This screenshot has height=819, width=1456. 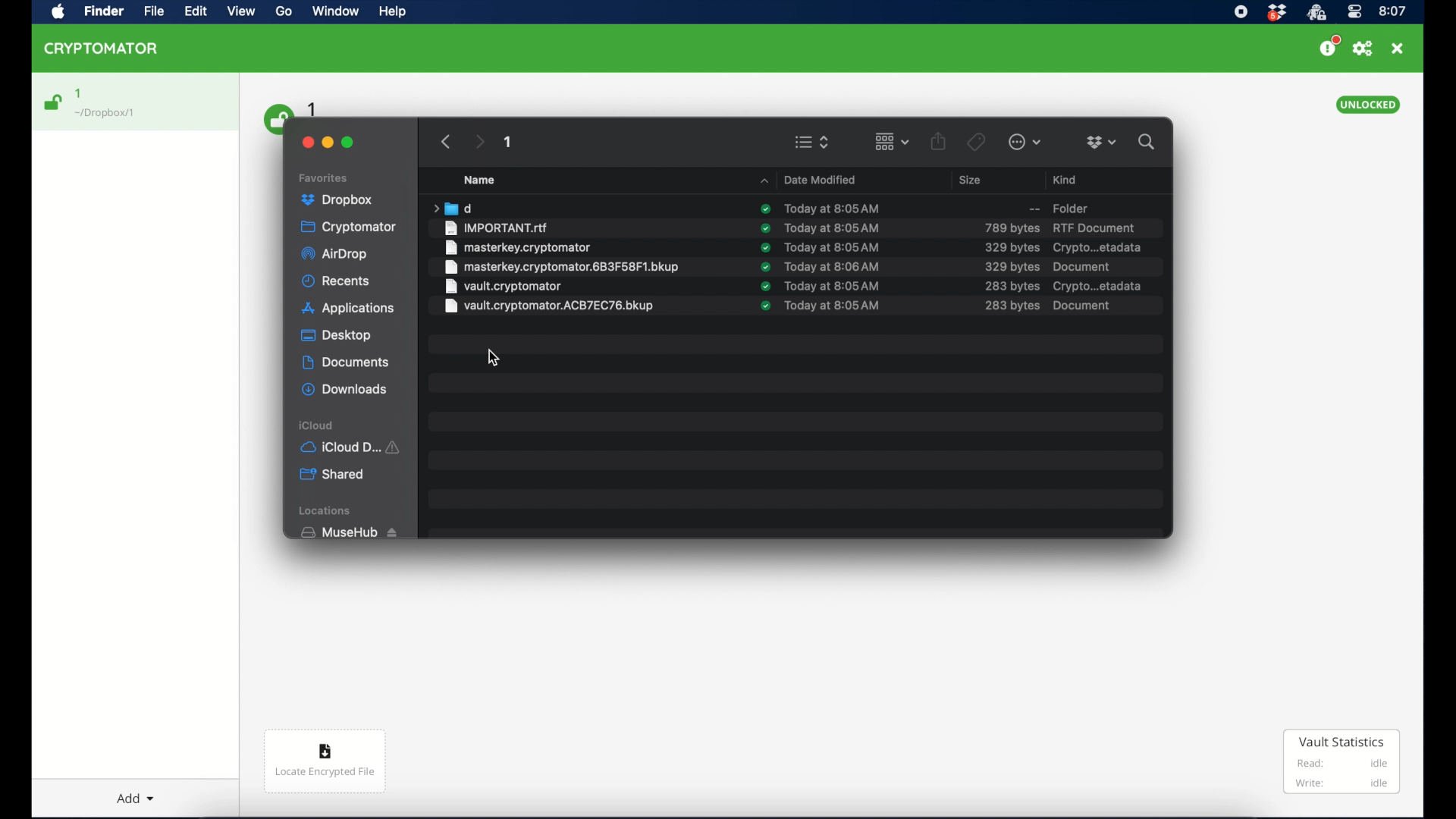 What do you see at coordinates (939, 140) in the screenshot?
I see `share` at bounding box center [939, 140].